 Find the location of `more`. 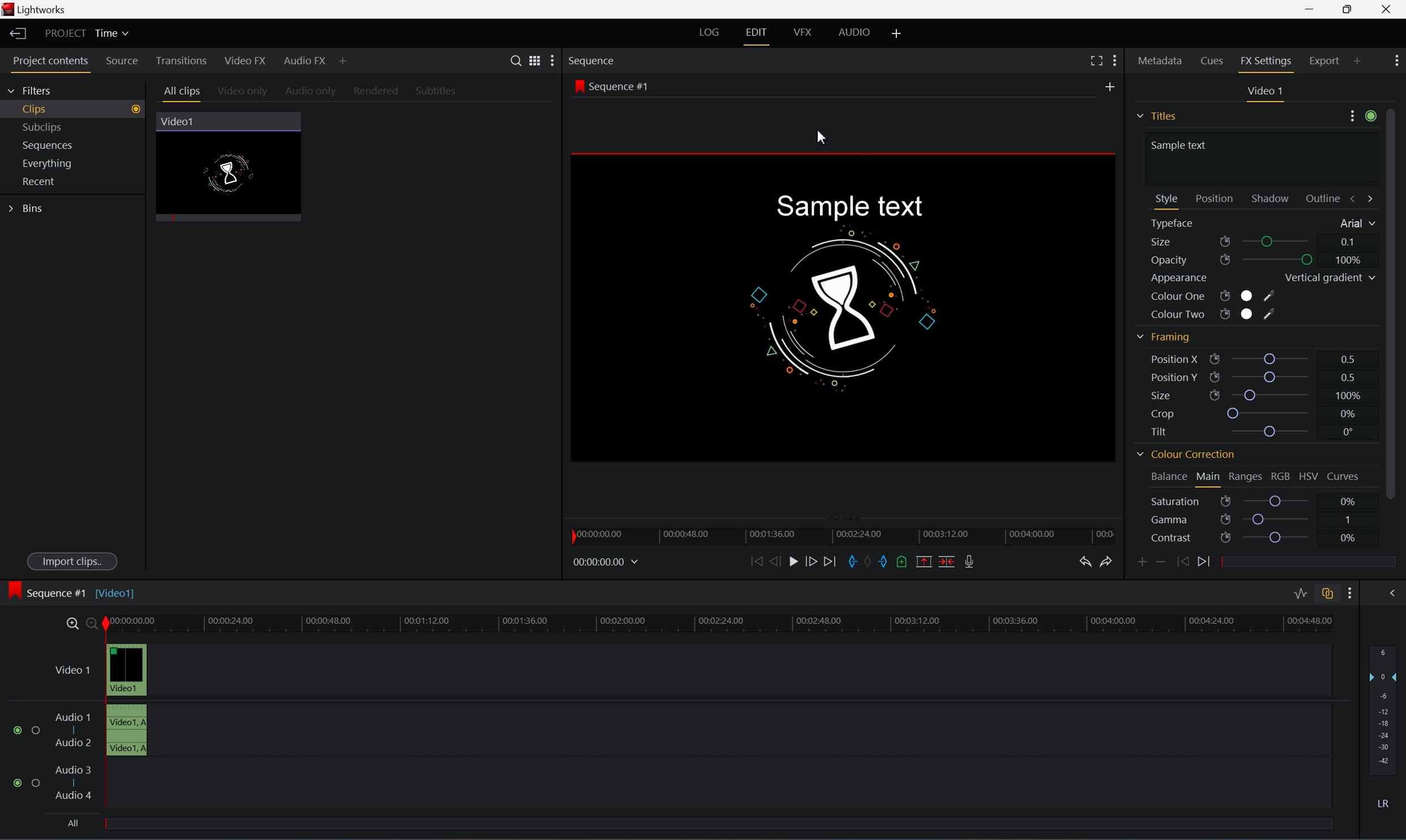

more is located at coordinates (549, 62).